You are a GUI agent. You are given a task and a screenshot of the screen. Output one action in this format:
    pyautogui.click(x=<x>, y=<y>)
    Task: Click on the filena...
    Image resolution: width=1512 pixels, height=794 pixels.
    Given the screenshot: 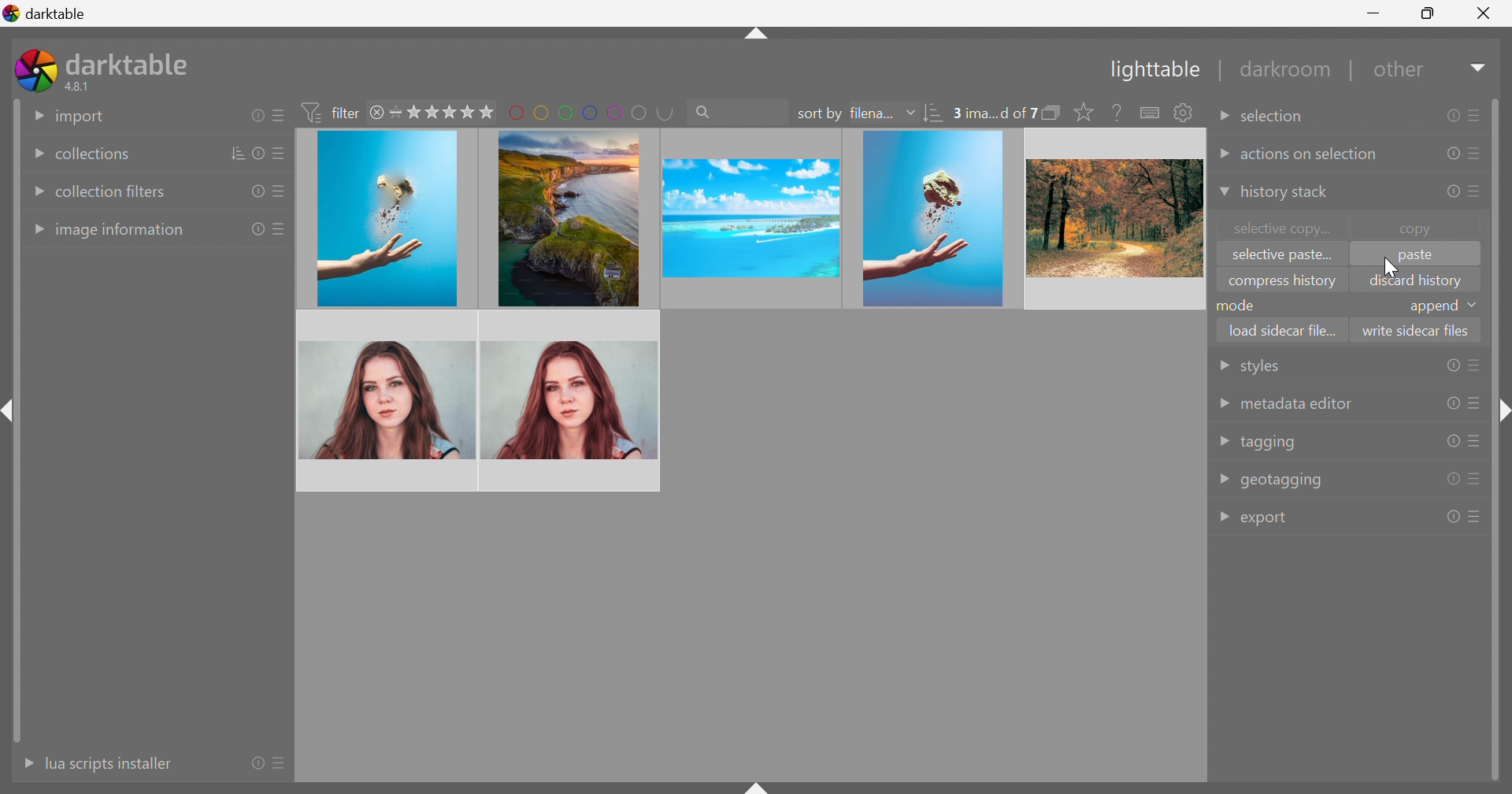 What is the action you would take?
    pyautogui.click(x=870, y=114)
    